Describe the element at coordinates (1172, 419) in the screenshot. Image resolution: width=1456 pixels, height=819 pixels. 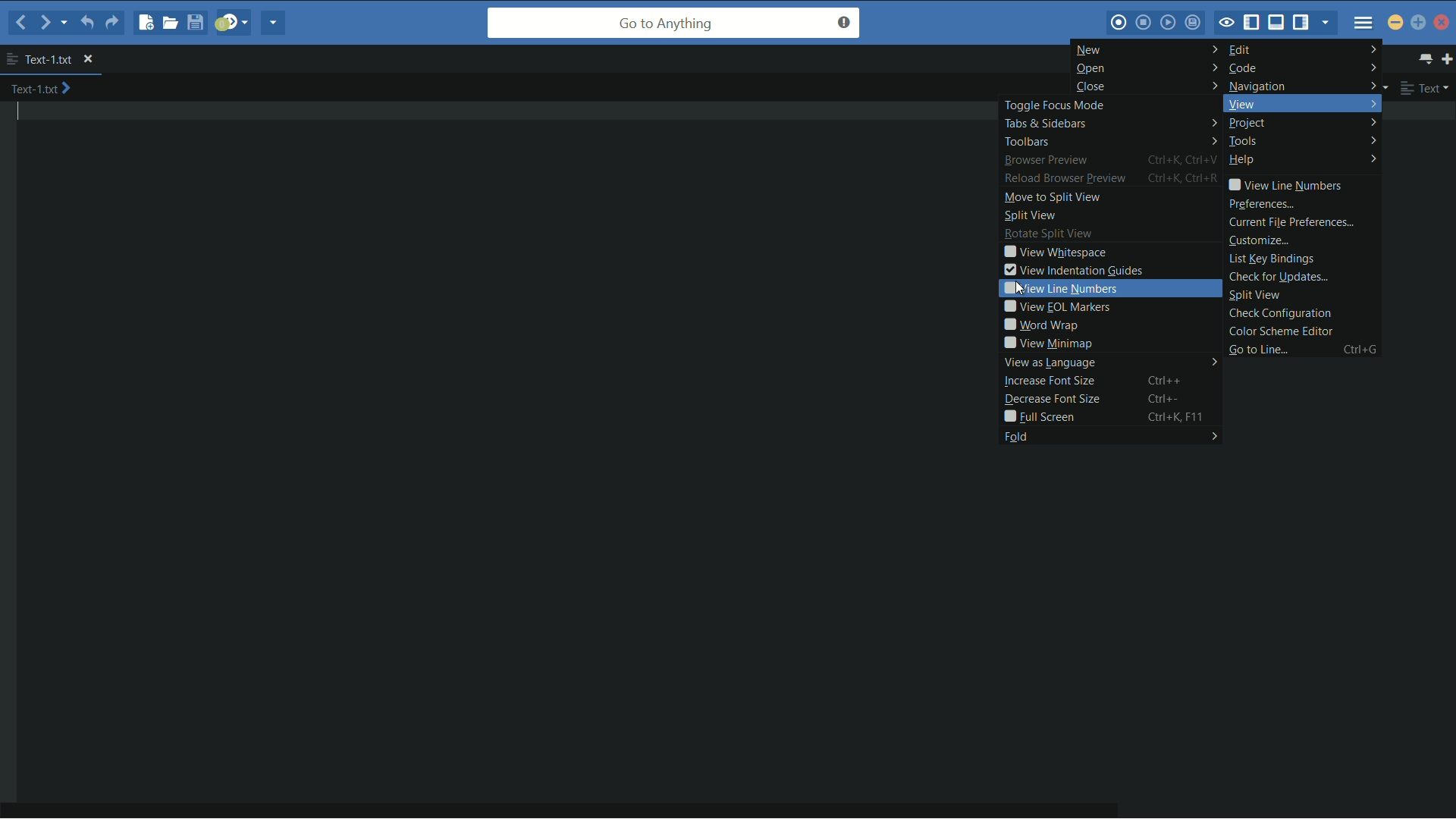
I see `Ctrl+K, F11` at that location.